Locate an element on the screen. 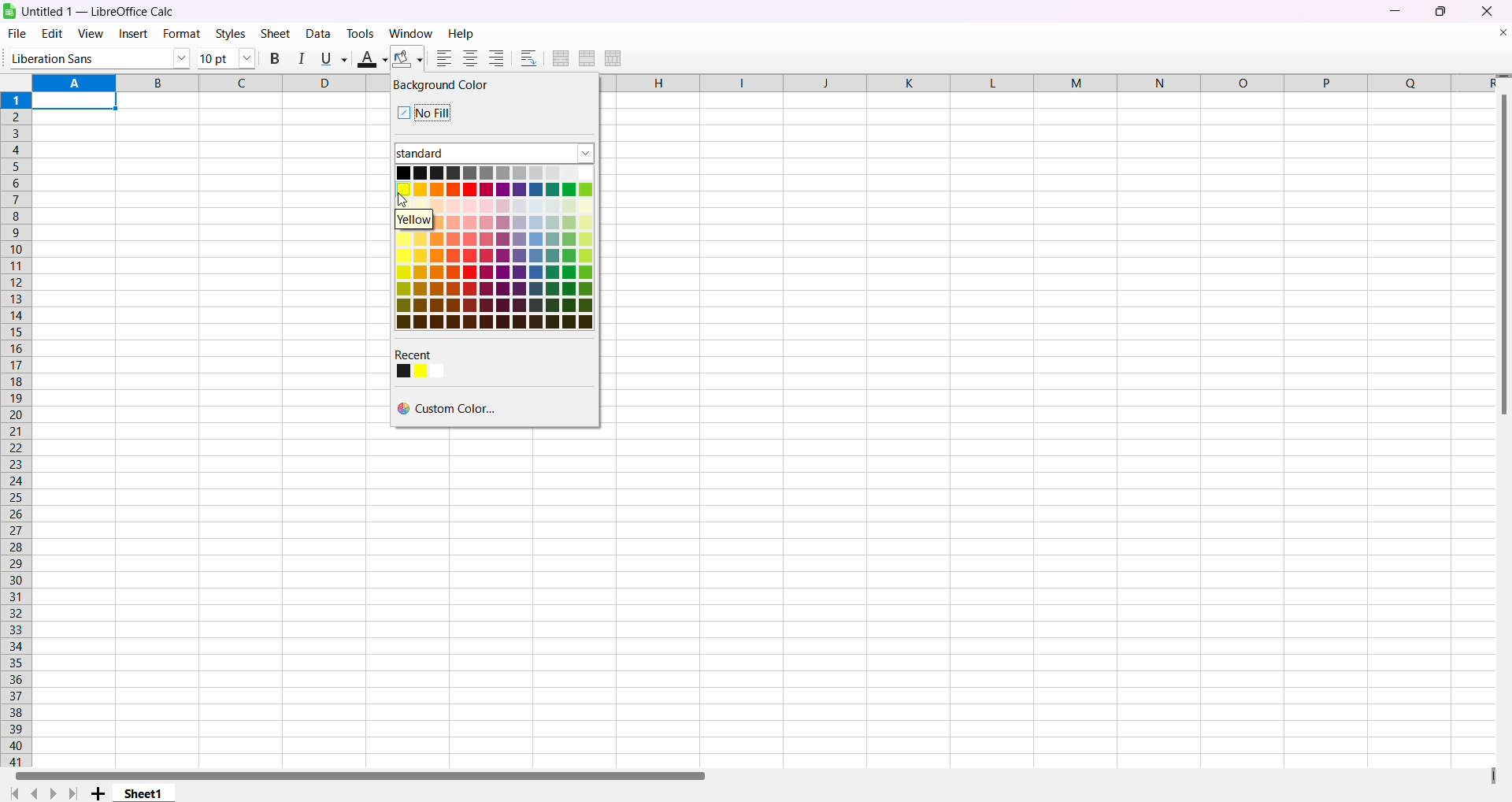  minimize is located at coordinates (1398, 14).